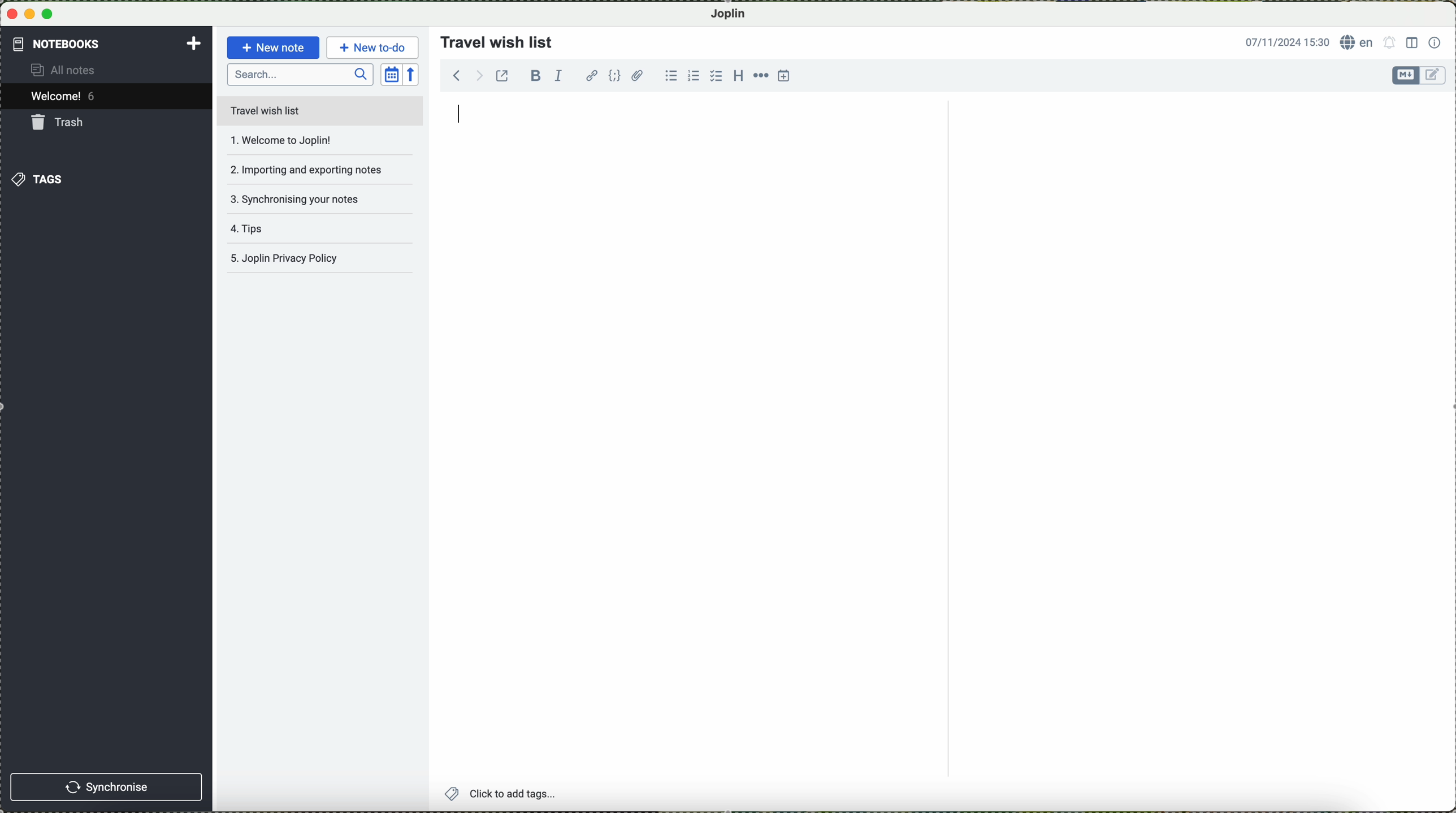  I want to click on toggle external editing, so click(505, 80).